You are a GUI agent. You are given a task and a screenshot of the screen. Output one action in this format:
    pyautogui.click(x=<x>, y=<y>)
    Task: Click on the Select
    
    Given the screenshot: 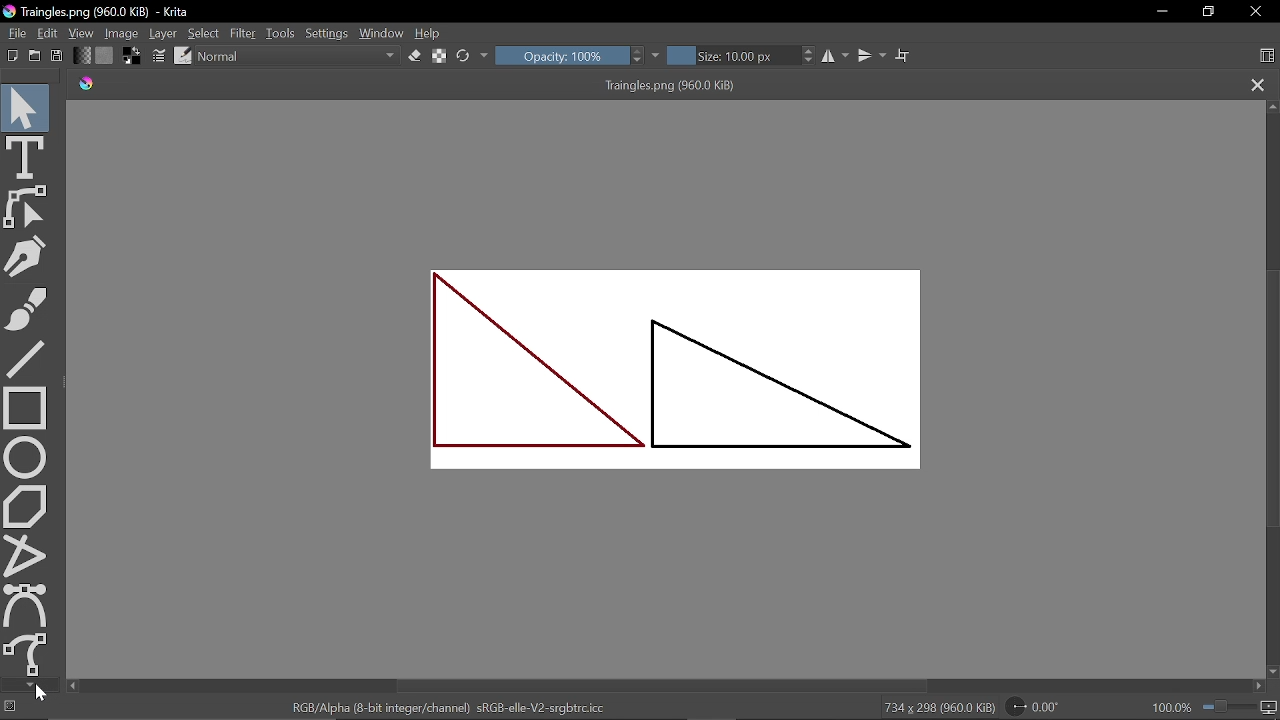 What is the action you would take?
    pyautogui.click(x=205, y=34)
    